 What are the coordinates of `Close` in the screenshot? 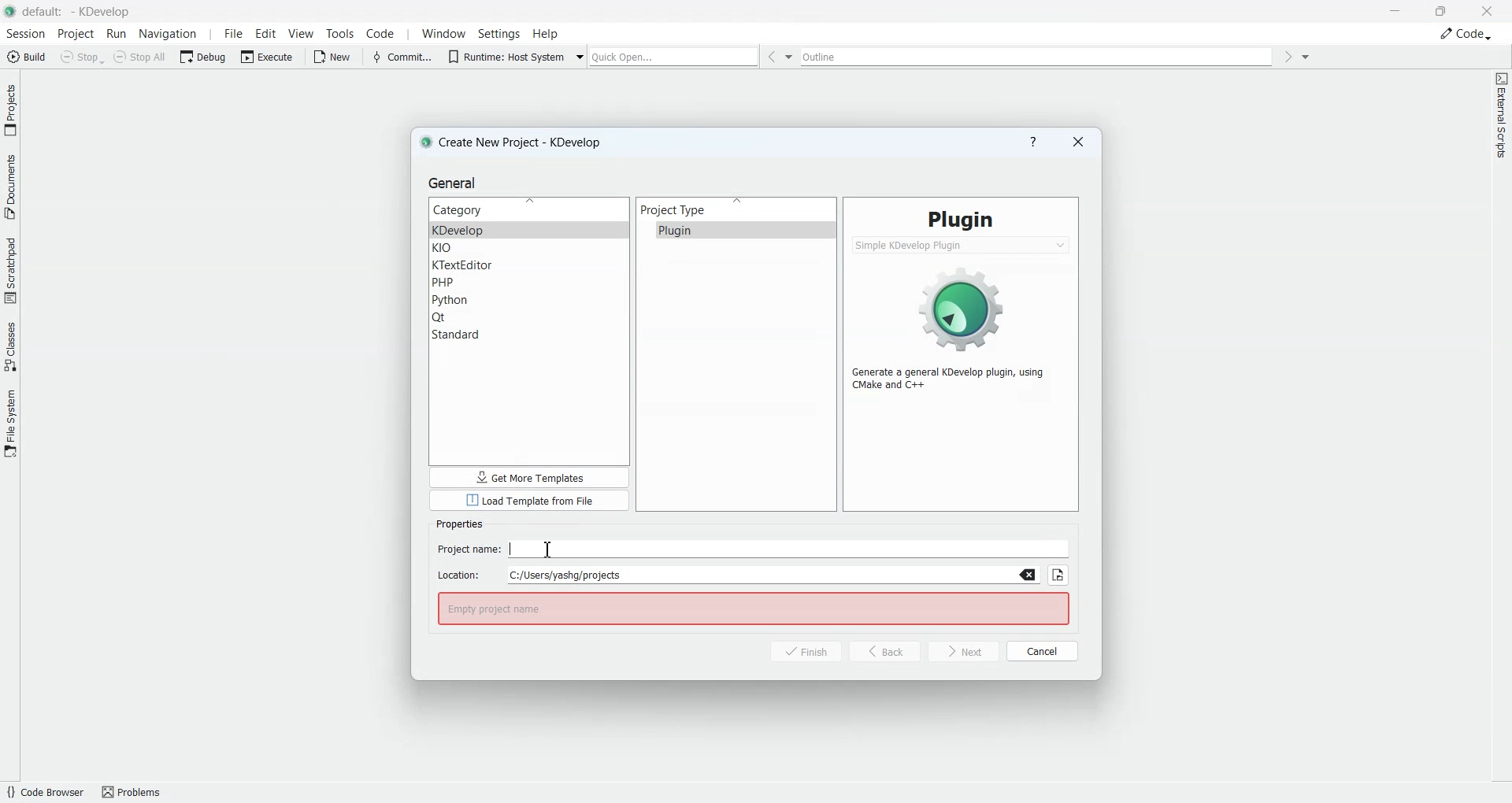 It's located at (1078, 142).